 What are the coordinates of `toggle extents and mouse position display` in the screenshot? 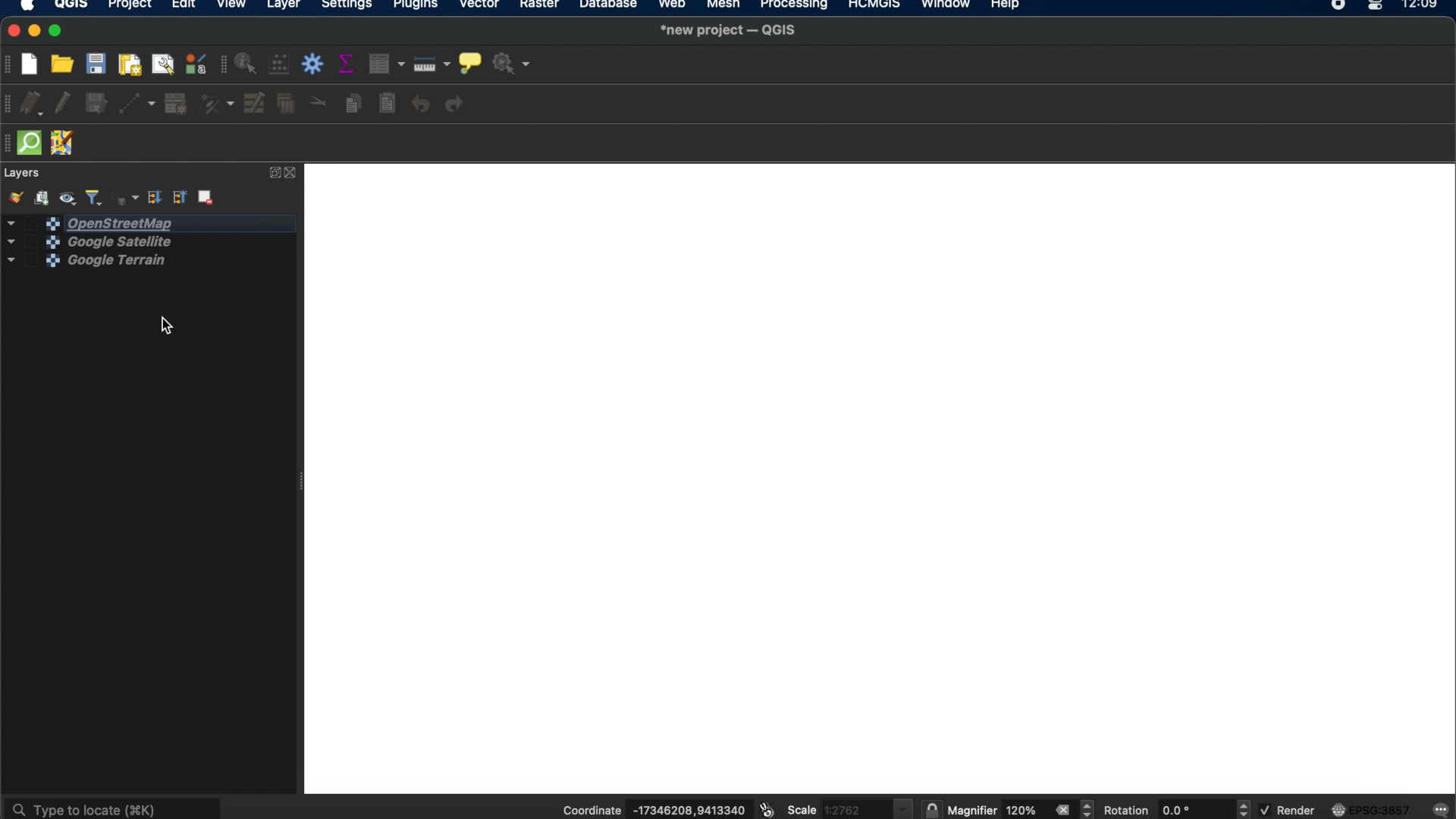 It's located at (765, 810).